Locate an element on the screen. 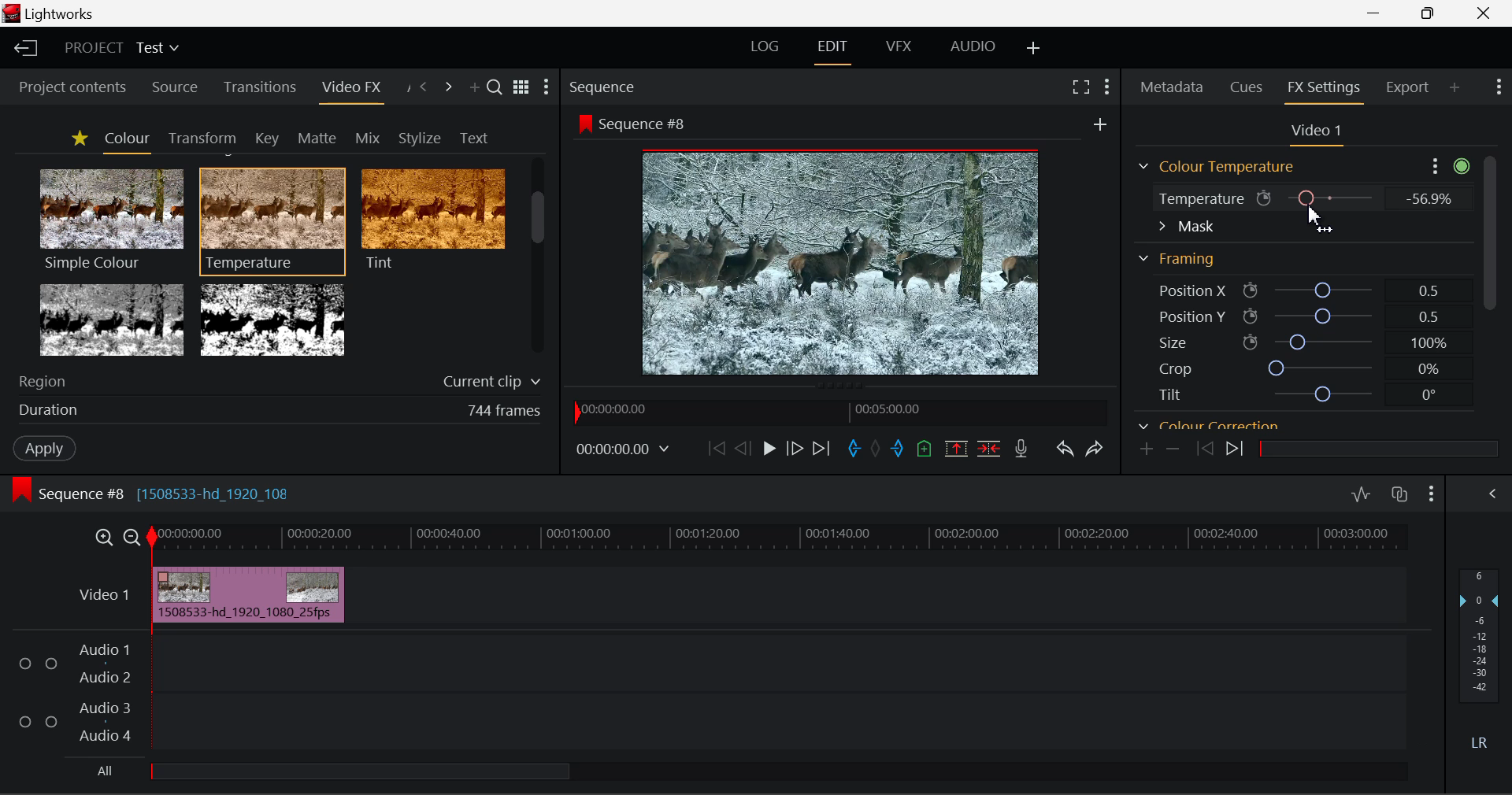 The width and height of the screenshot is (1512, 795). 00:00:00.00 is located at coordinates (625, 449).